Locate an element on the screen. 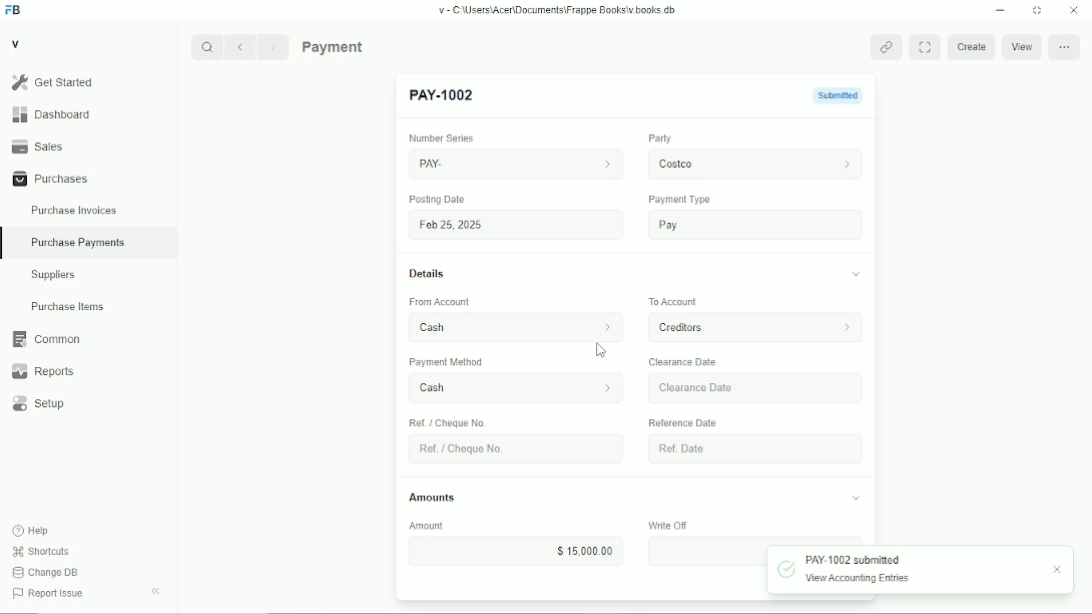  view is located at coordinates (1022, 49).